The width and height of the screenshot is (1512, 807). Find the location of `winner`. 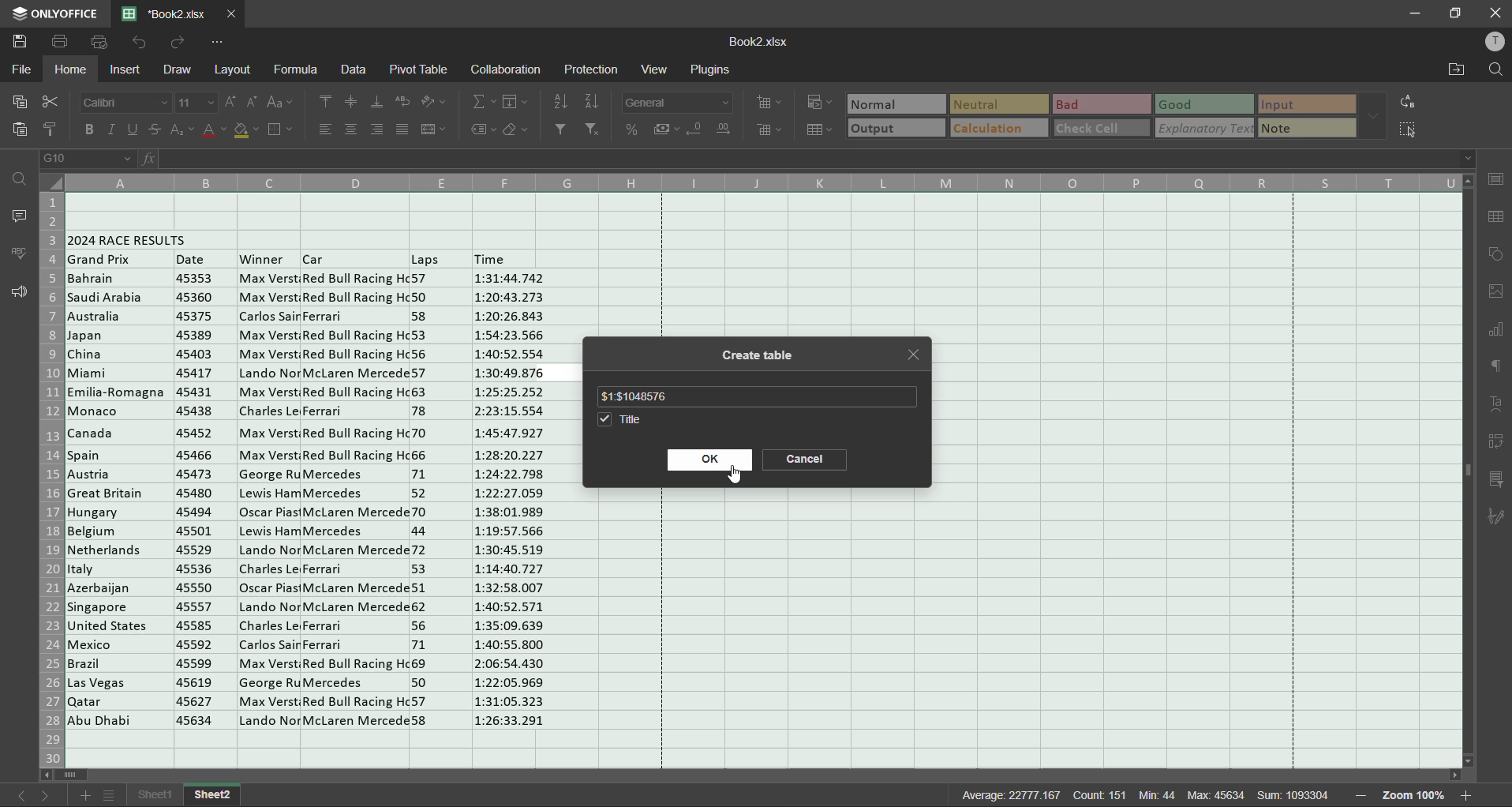

winner is located at coordinates (270, 499).